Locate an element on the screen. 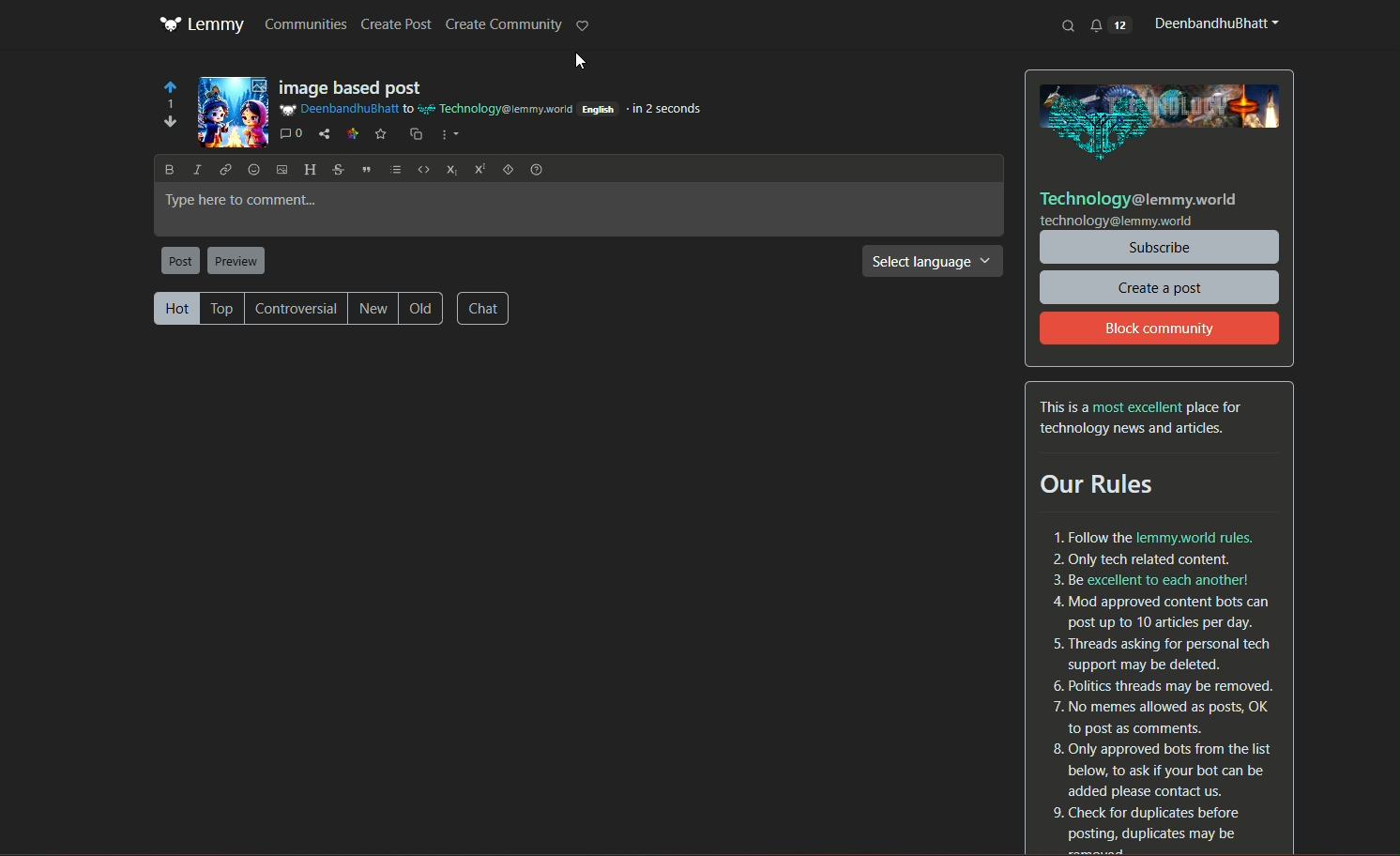 The height and width of the screenshot is (856, 1400). create a post is located at coordinates (1160, 286).